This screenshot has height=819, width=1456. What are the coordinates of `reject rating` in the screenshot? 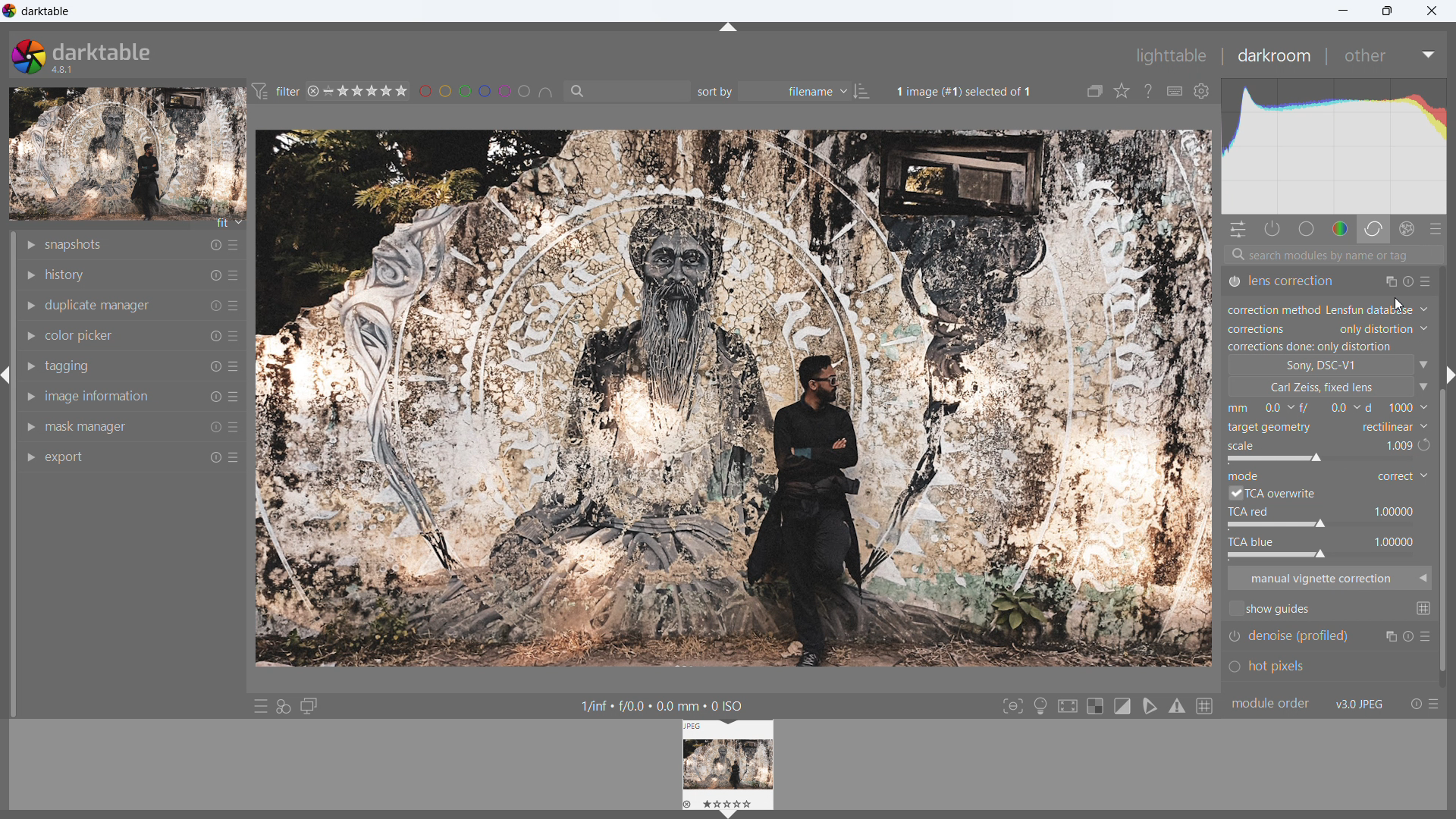 It's located at (314, 93).